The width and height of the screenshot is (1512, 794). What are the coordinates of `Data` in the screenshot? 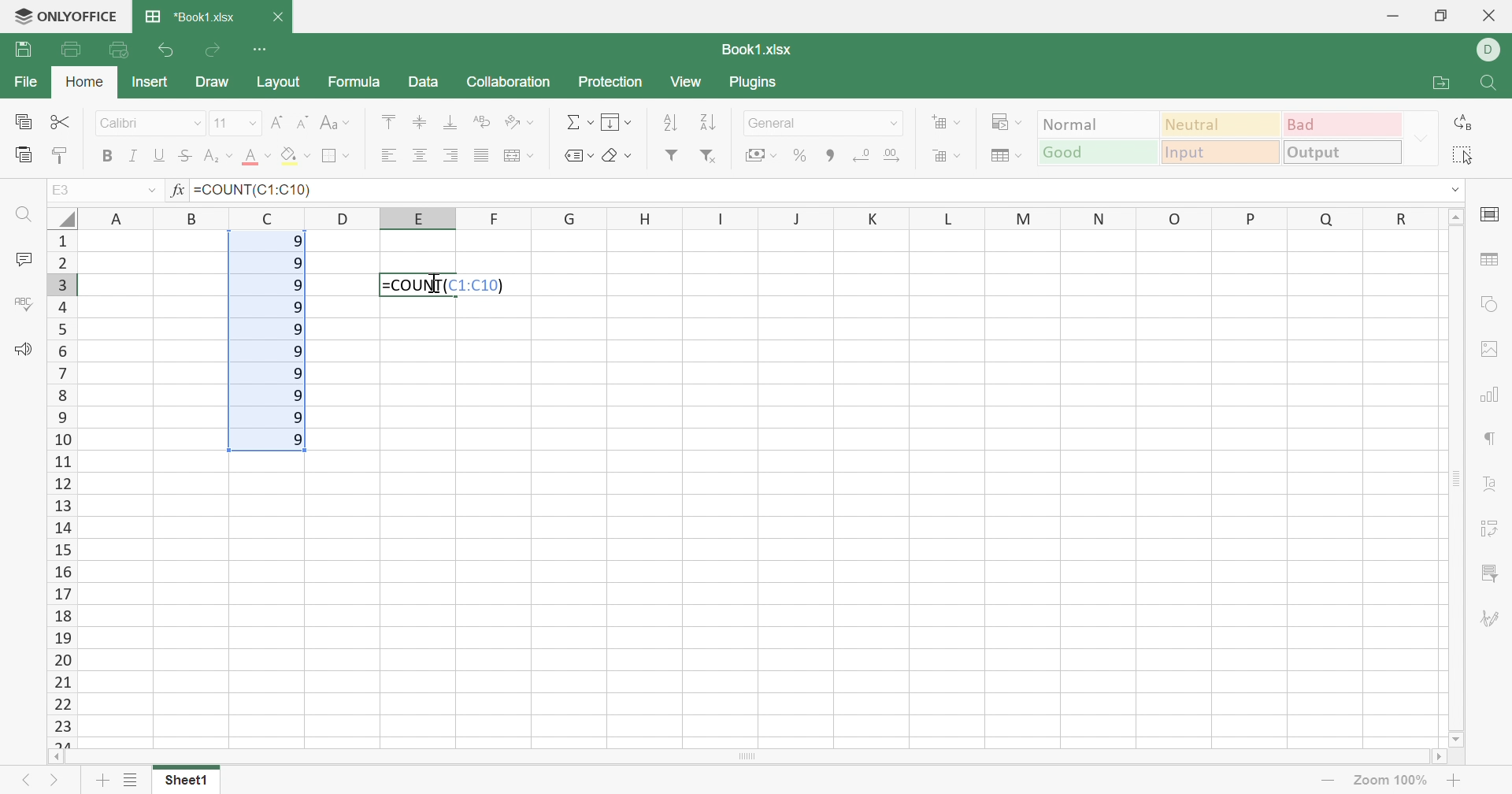 It's located at (423, 80).